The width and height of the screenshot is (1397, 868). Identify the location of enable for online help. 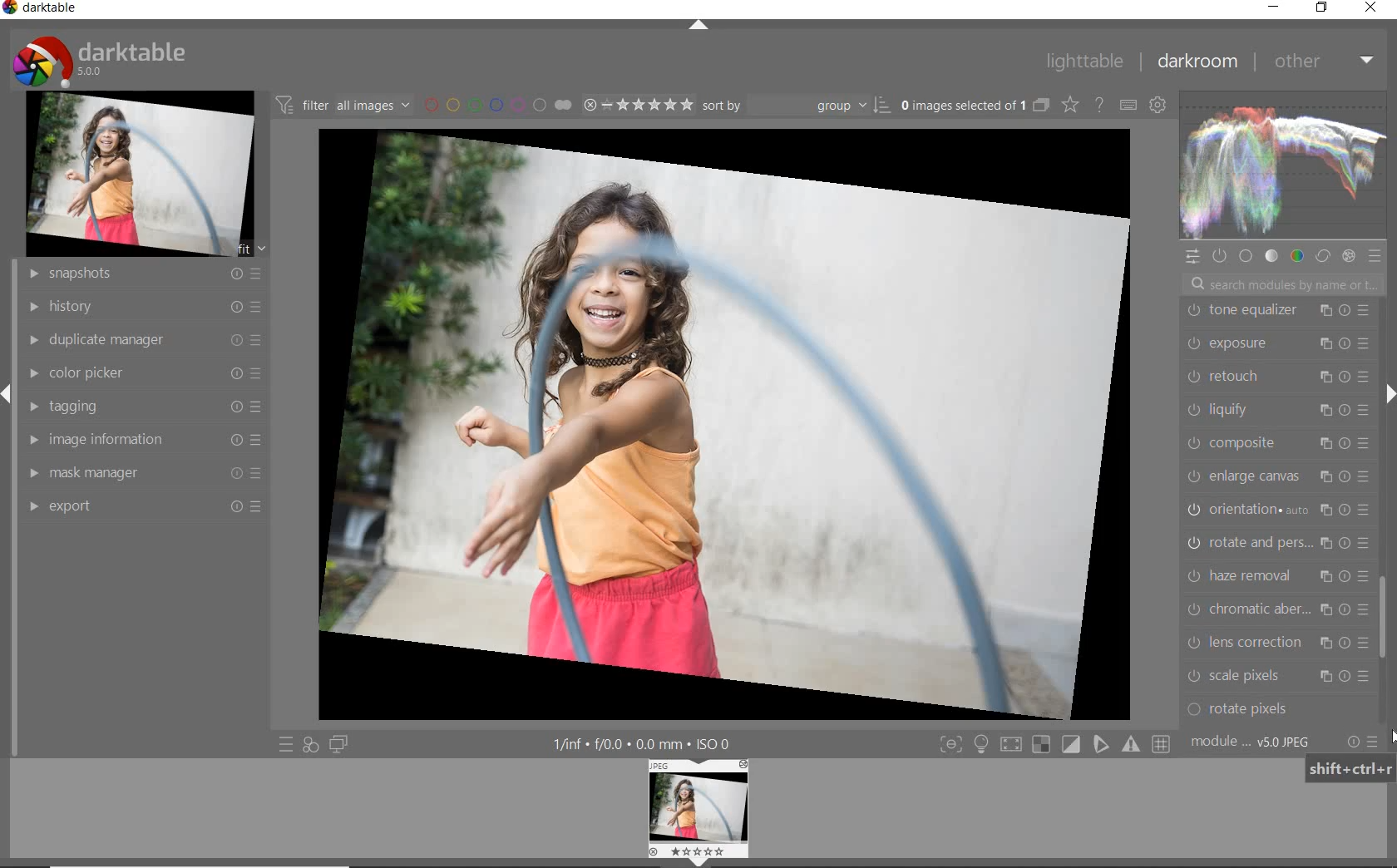
(1099, 105).